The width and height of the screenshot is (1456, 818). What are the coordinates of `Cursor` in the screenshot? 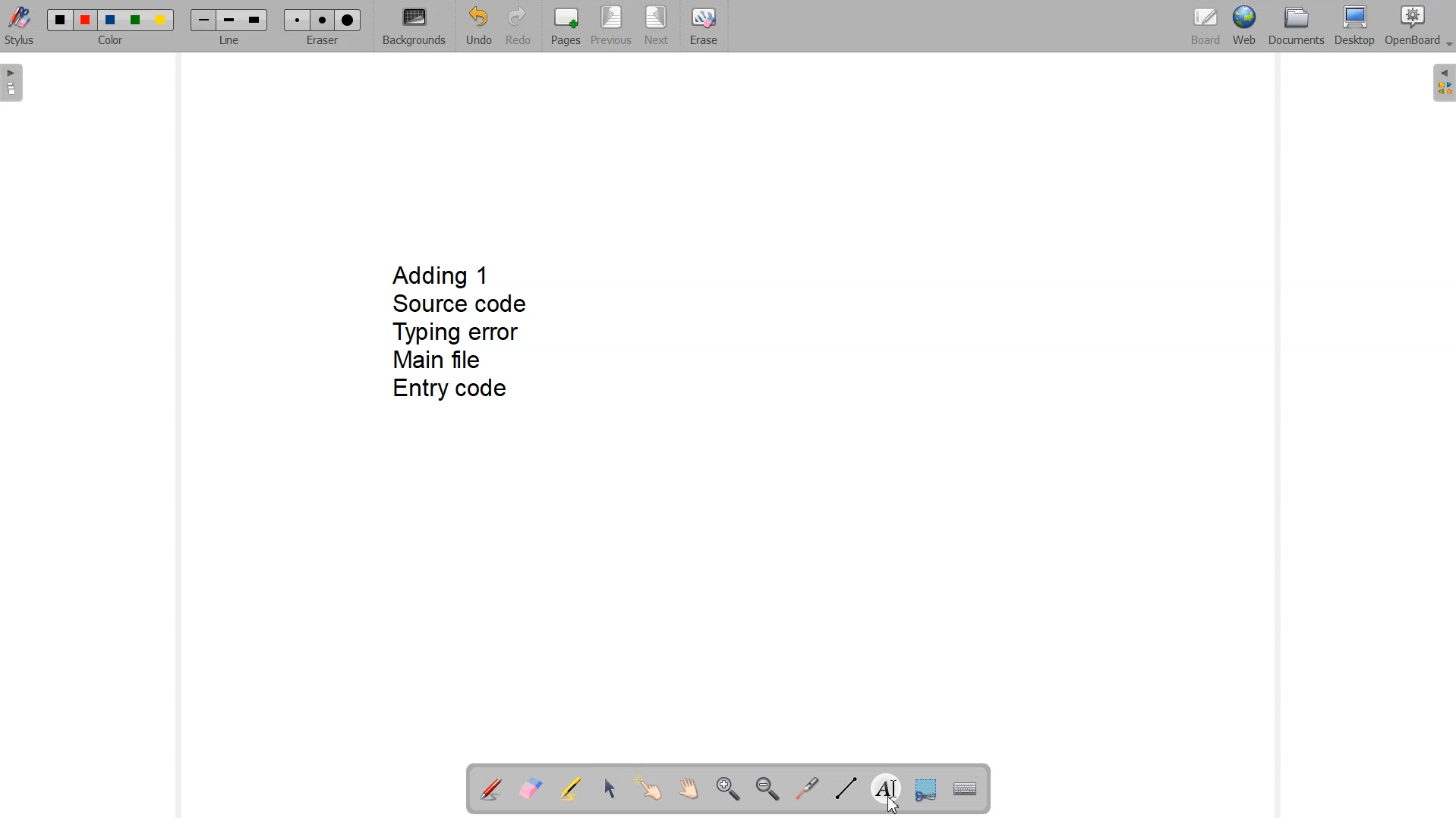 It's located at (893, 807).